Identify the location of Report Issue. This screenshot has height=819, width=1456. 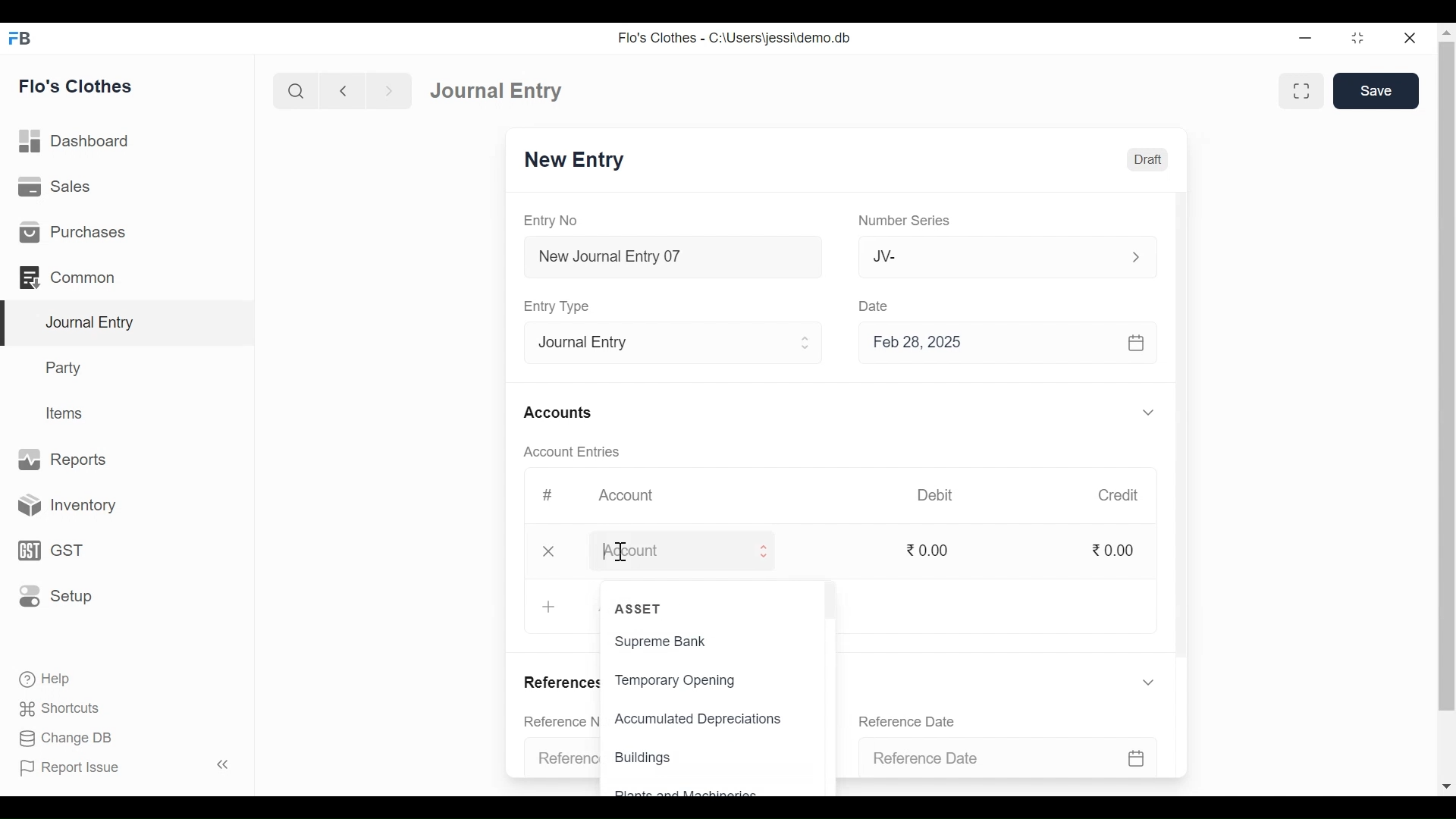
(69, 767).